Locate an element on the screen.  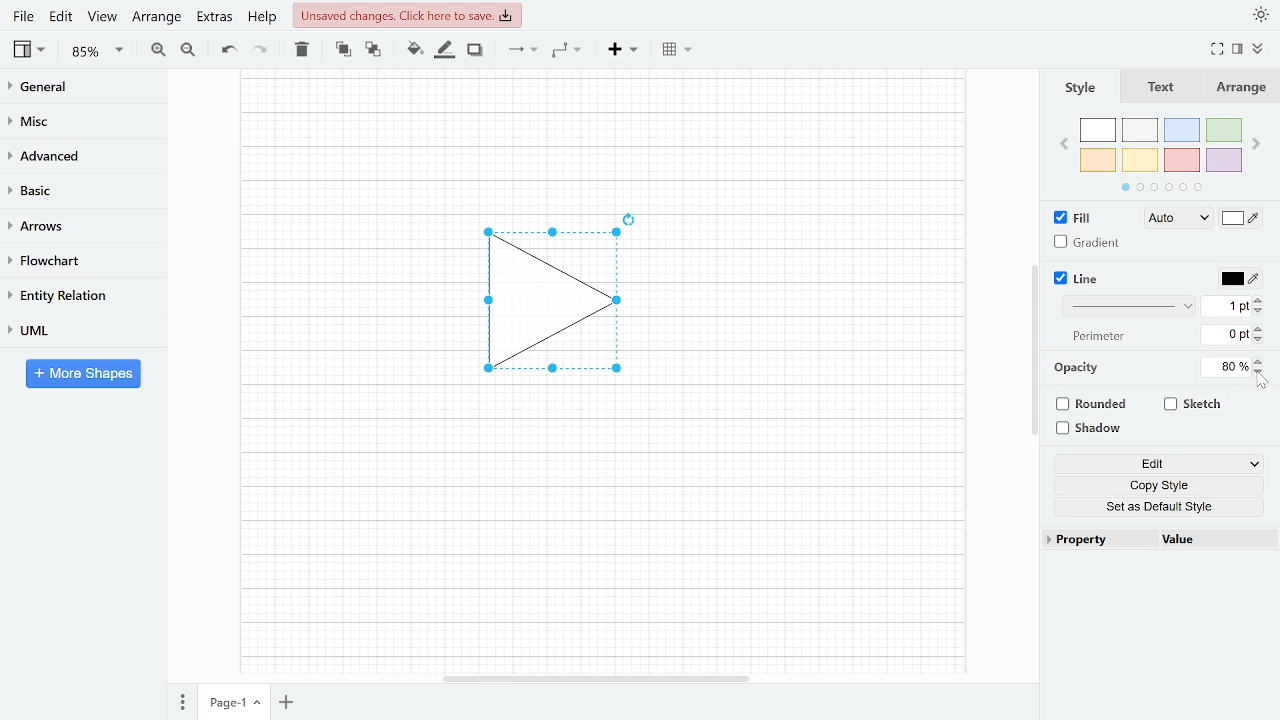
Text is located at coordinates (1157, 88).